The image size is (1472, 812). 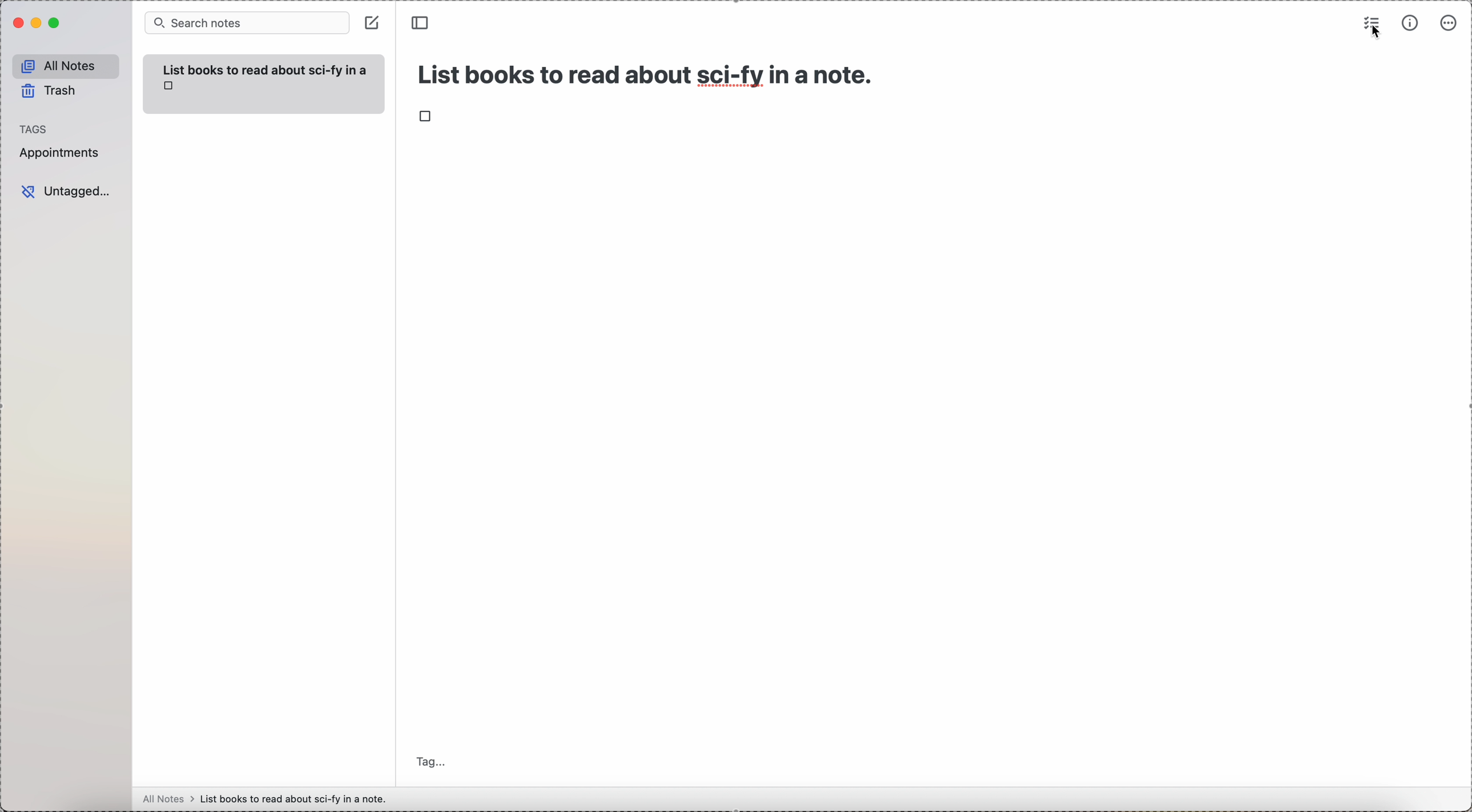 I want to click on untagged, so click(x=66, y=191).